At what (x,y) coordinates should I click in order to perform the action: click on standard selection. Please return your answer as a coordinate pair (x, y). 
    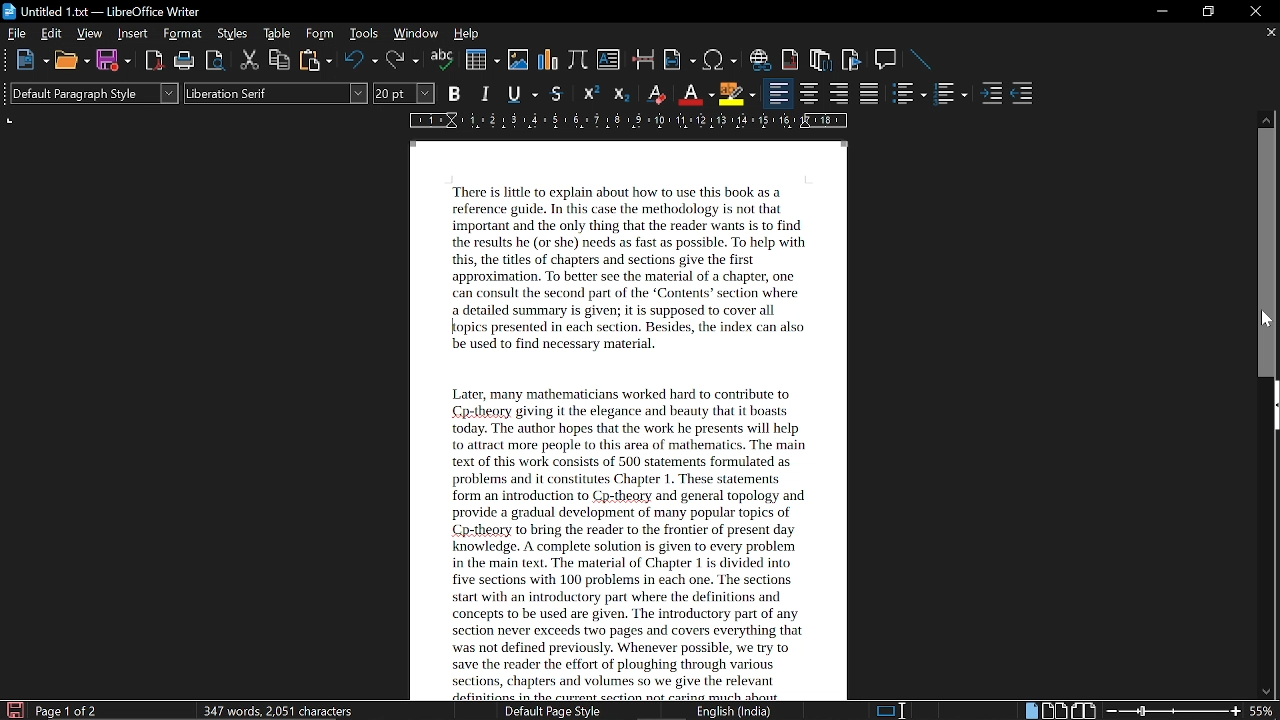
    Looking at the image, I should click on (895, 710).